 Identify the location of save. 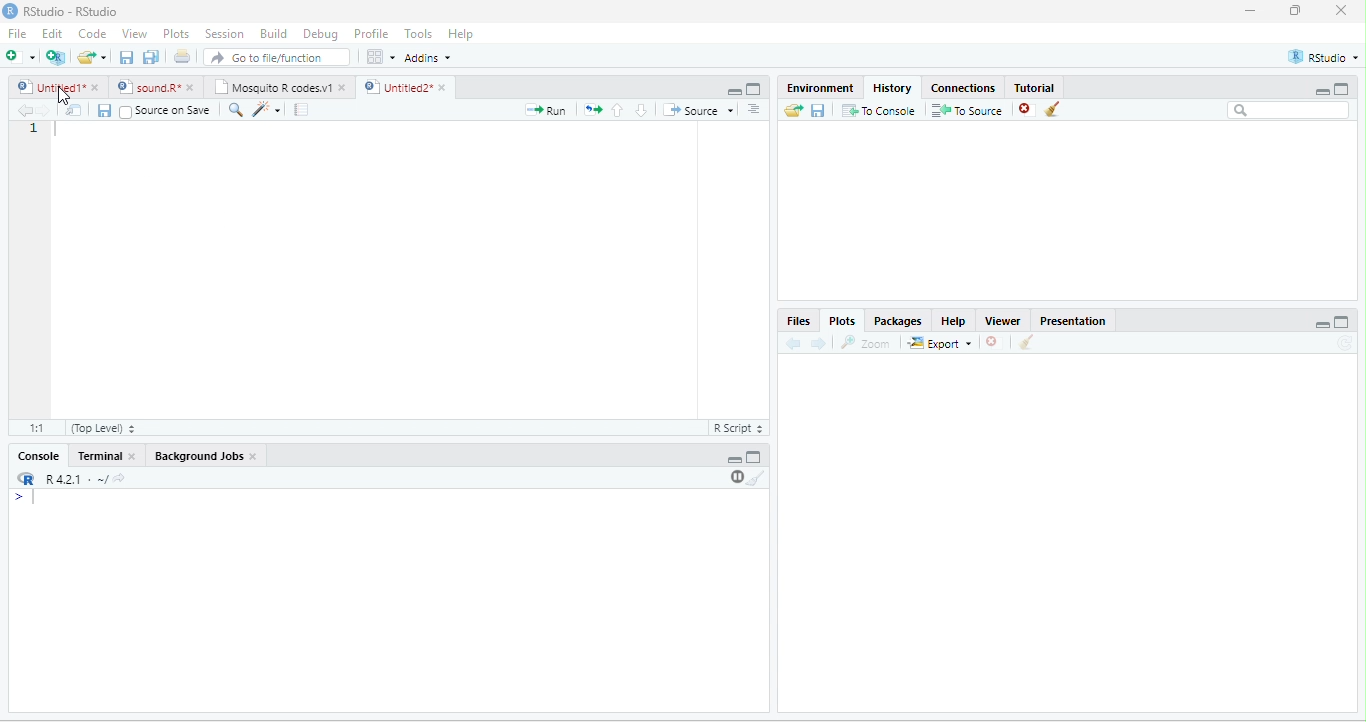
(817, 111).